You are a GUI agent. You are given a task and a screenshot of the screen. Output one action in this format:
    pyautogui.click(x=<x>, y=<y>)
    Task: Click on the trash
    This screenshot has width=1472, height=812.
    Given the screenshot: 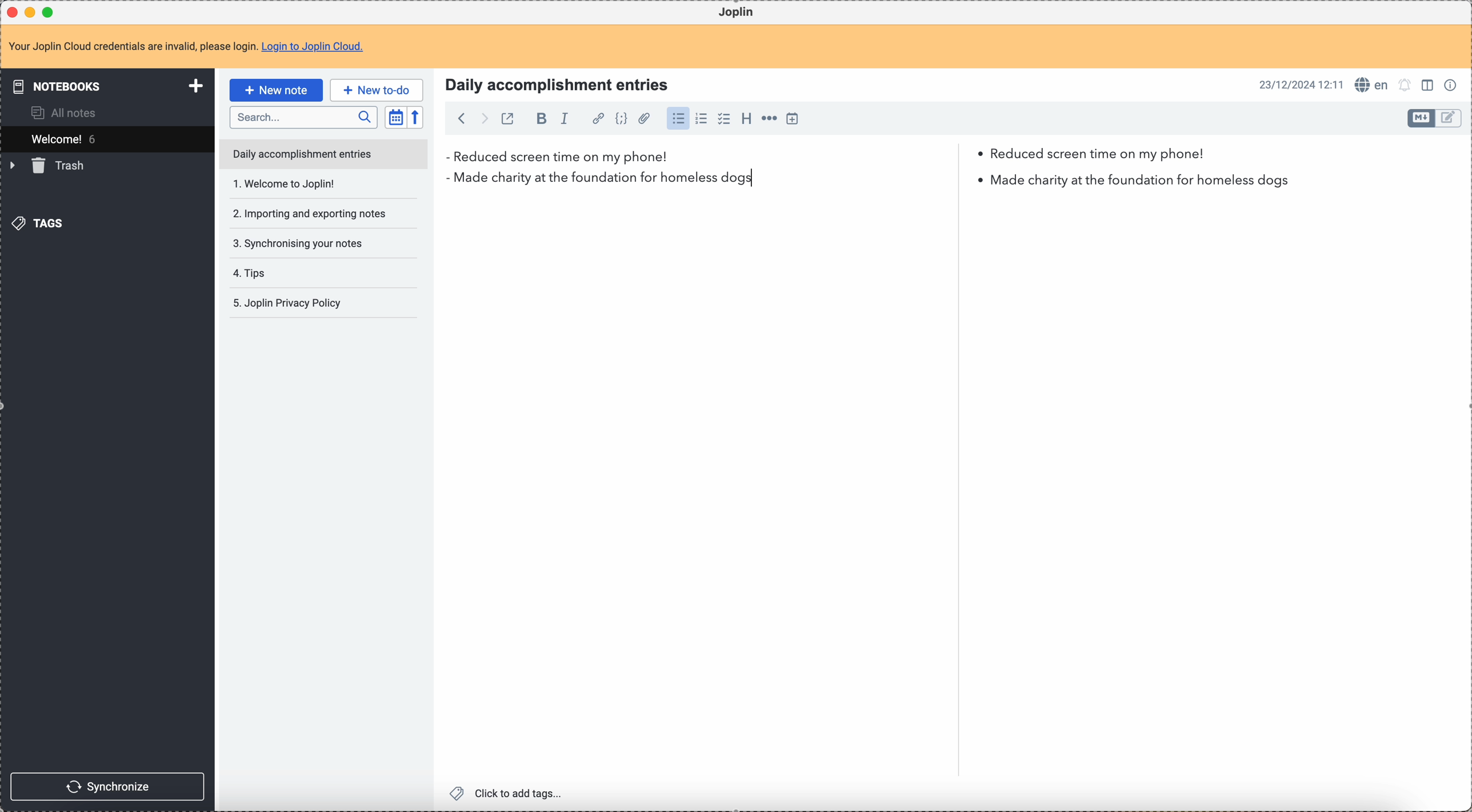 What is the action you would take?
    pyautogui.click(x=50, y=166)
    